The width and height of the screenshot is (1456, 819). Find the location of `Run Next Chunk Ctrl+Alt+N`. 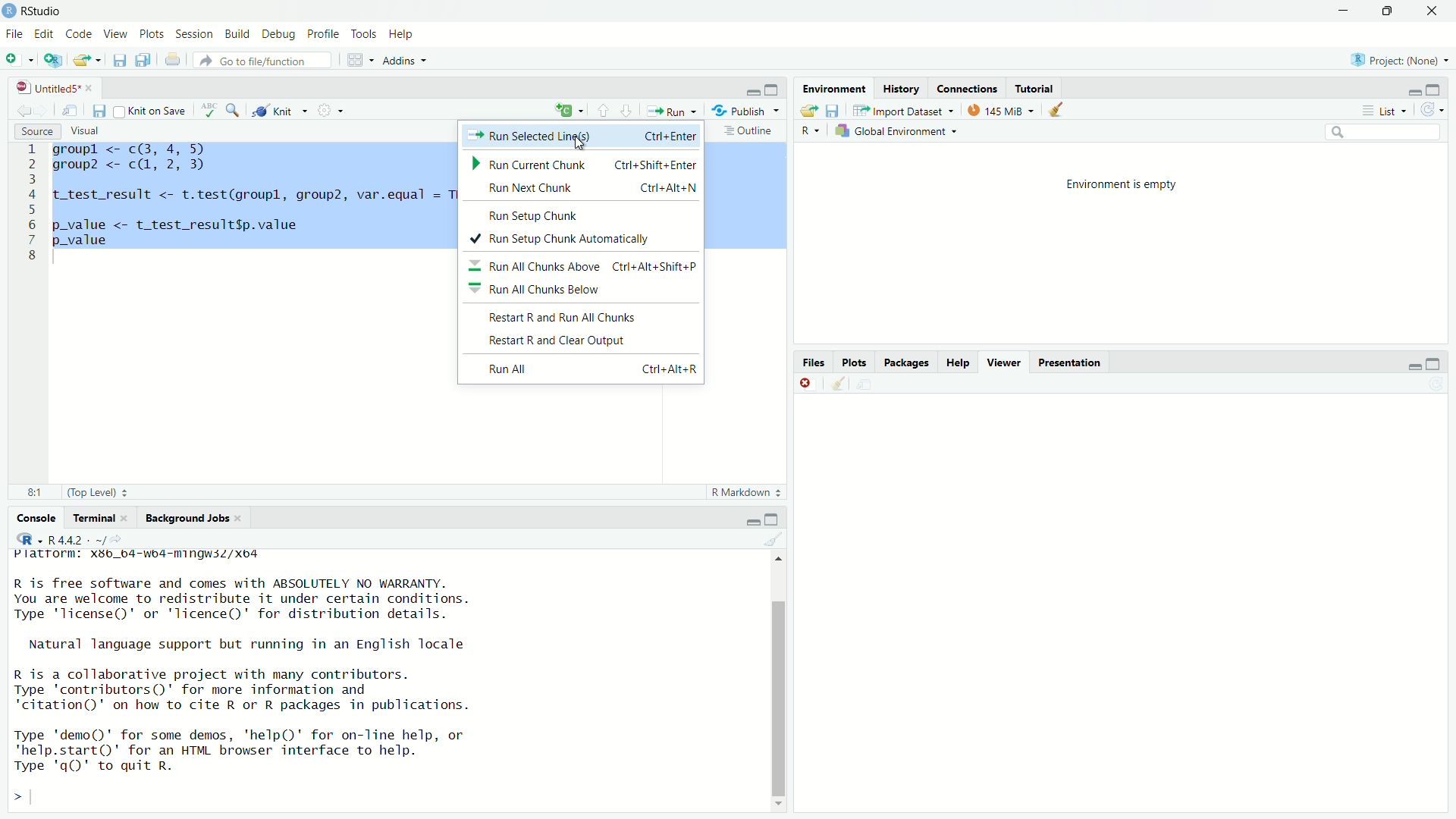

Run Next Chunk Ctrl+Alt+N is located at coordinates (584, 188).